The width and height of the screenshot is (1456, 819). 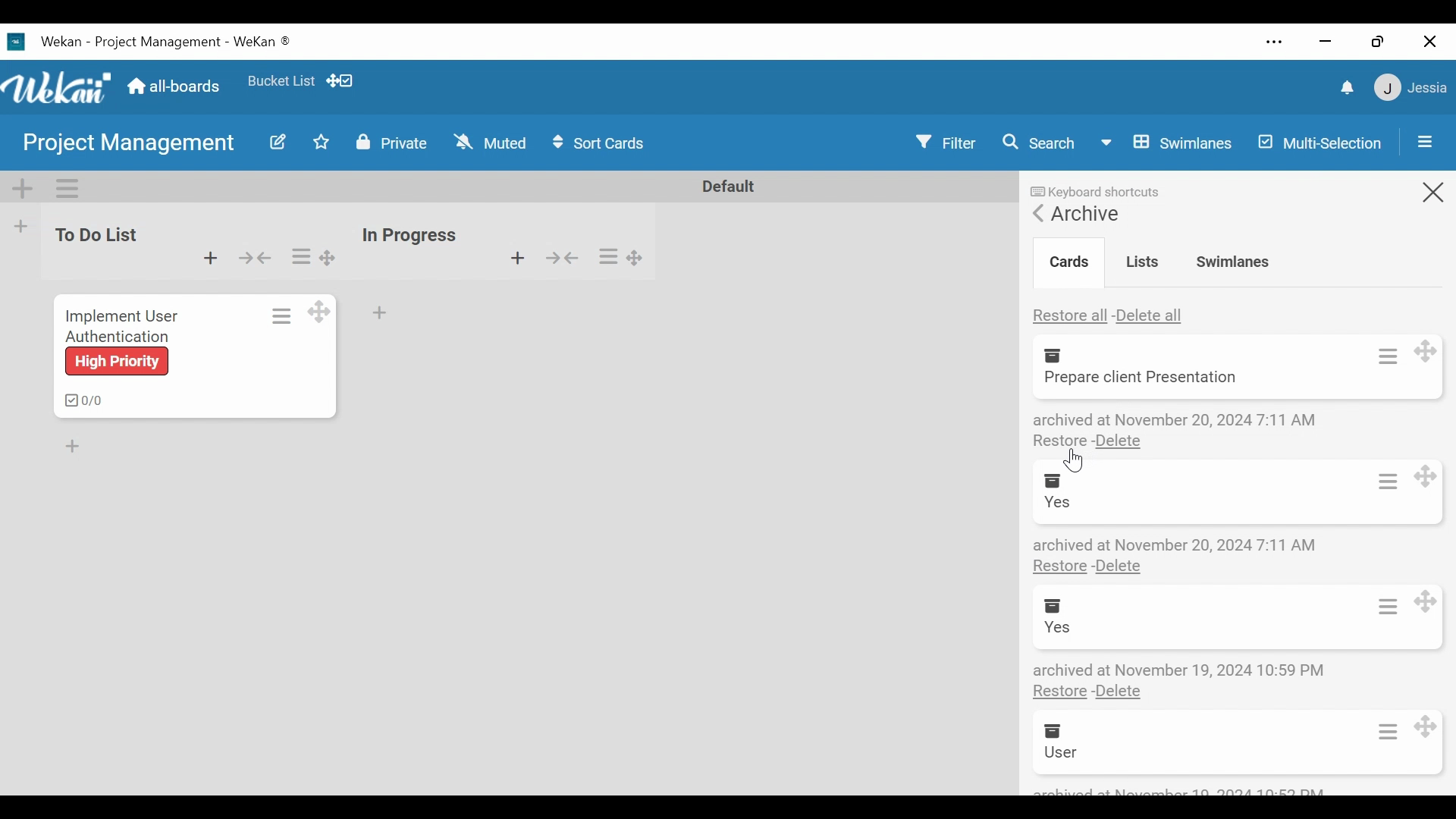 What do you see at coordinates (1178, 790) in the screenshot?
I see `archive details` at bounding box center [1178, 790].